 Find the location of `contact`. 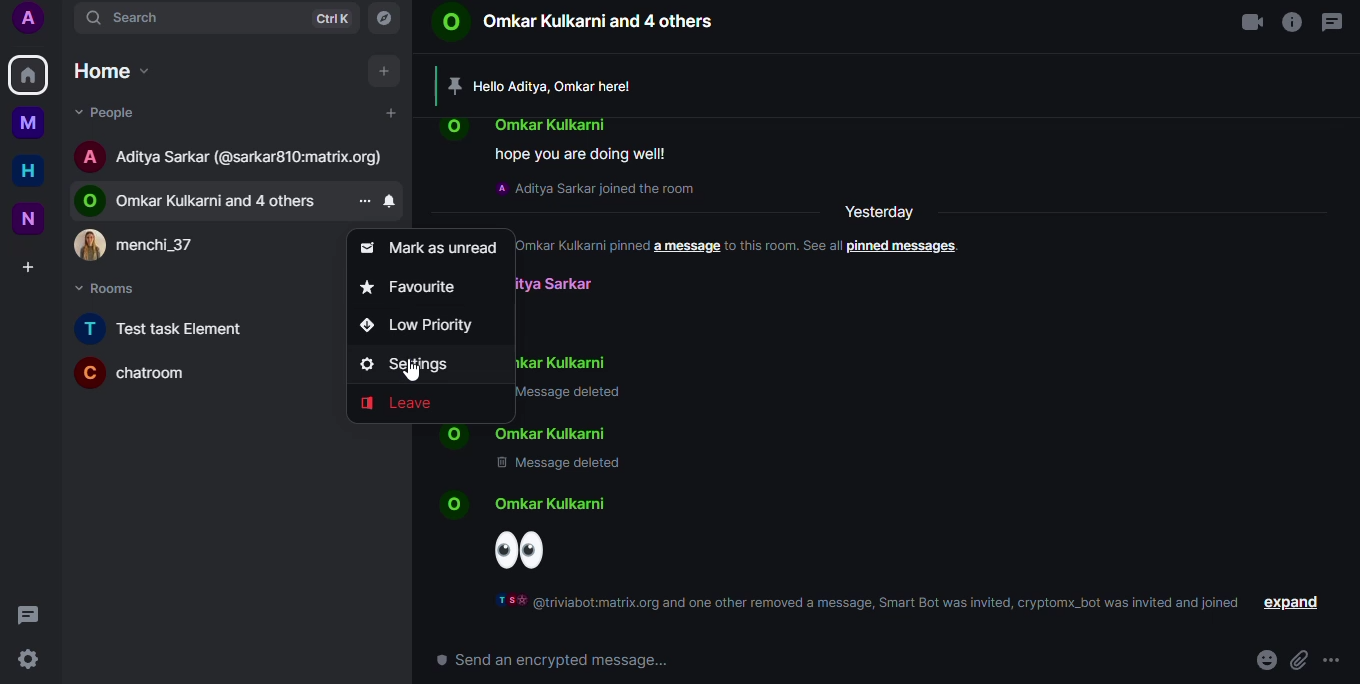

contact is located at coordinates (518, 503).